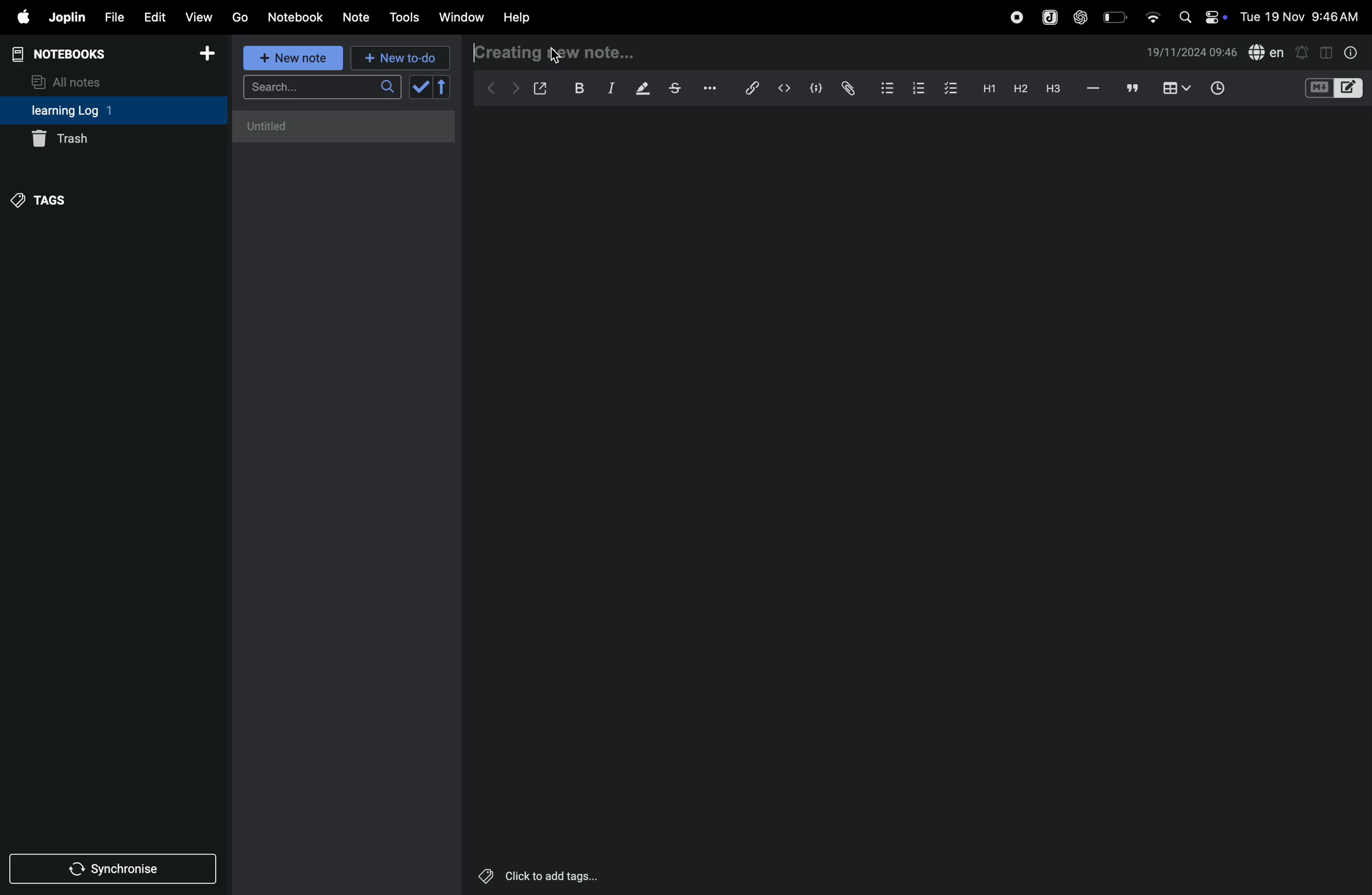 This screenshot has width=1372, height=895. What do you see at coordinates (1133, 89) in the screenshot?
I see `comment` at bounding box center [1133, 89].